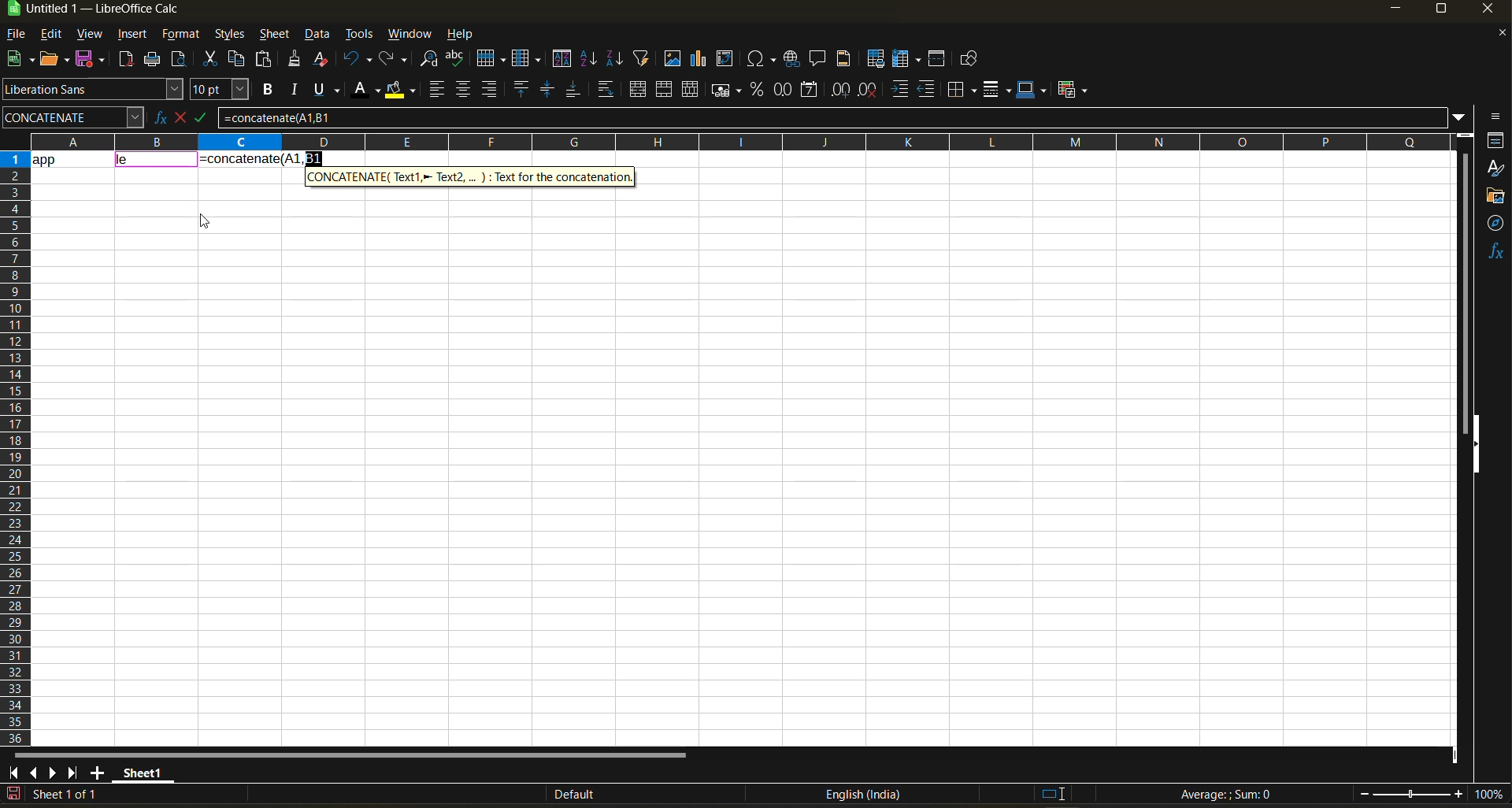 The width and height of the screenshot is (1512, 808). What do you see at coordinates (274, 34) in the screenshot?
I see `sheet` at bounding box center [274, 34].